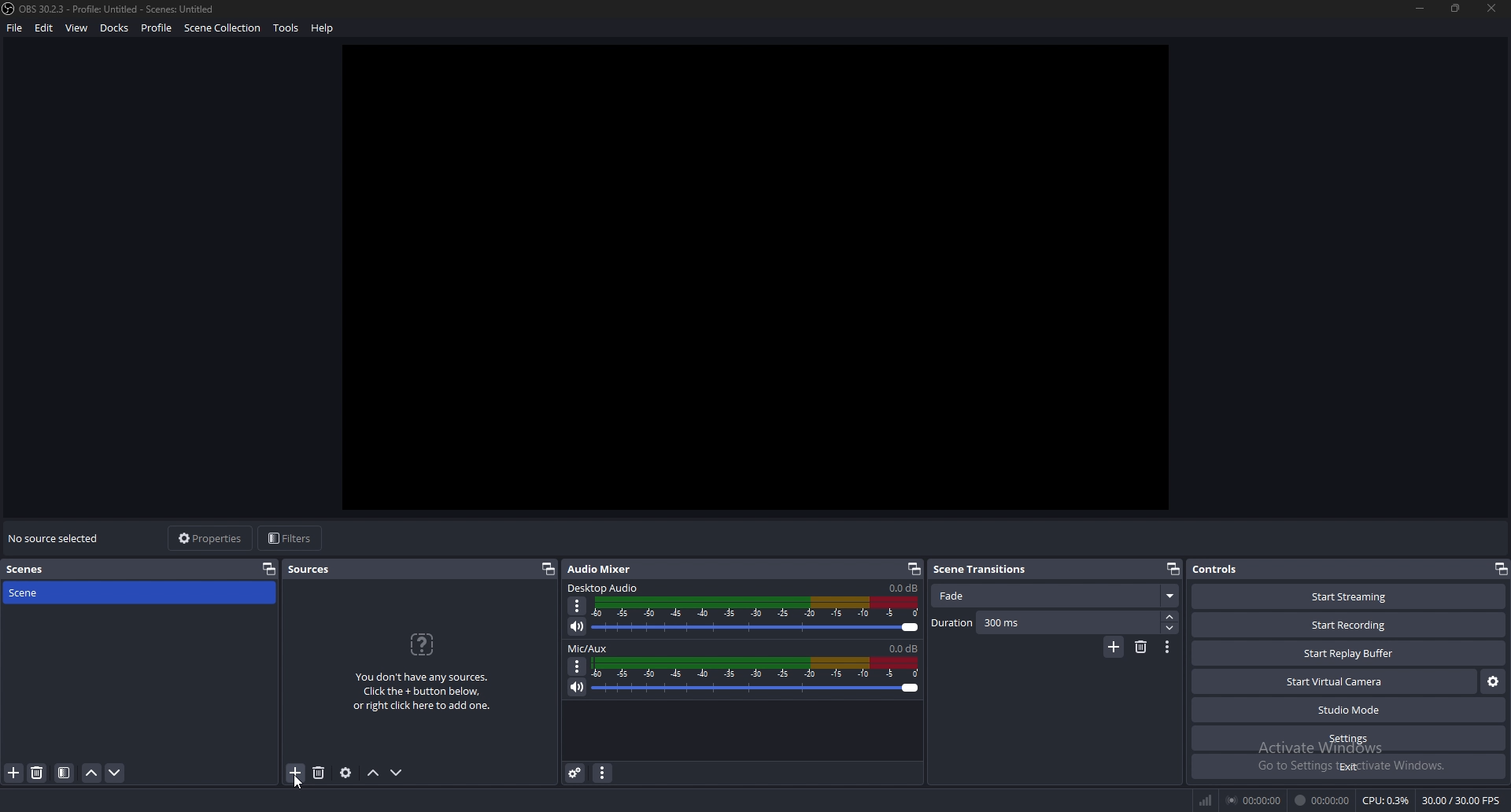  I want to click on popout, so click(548, 569).